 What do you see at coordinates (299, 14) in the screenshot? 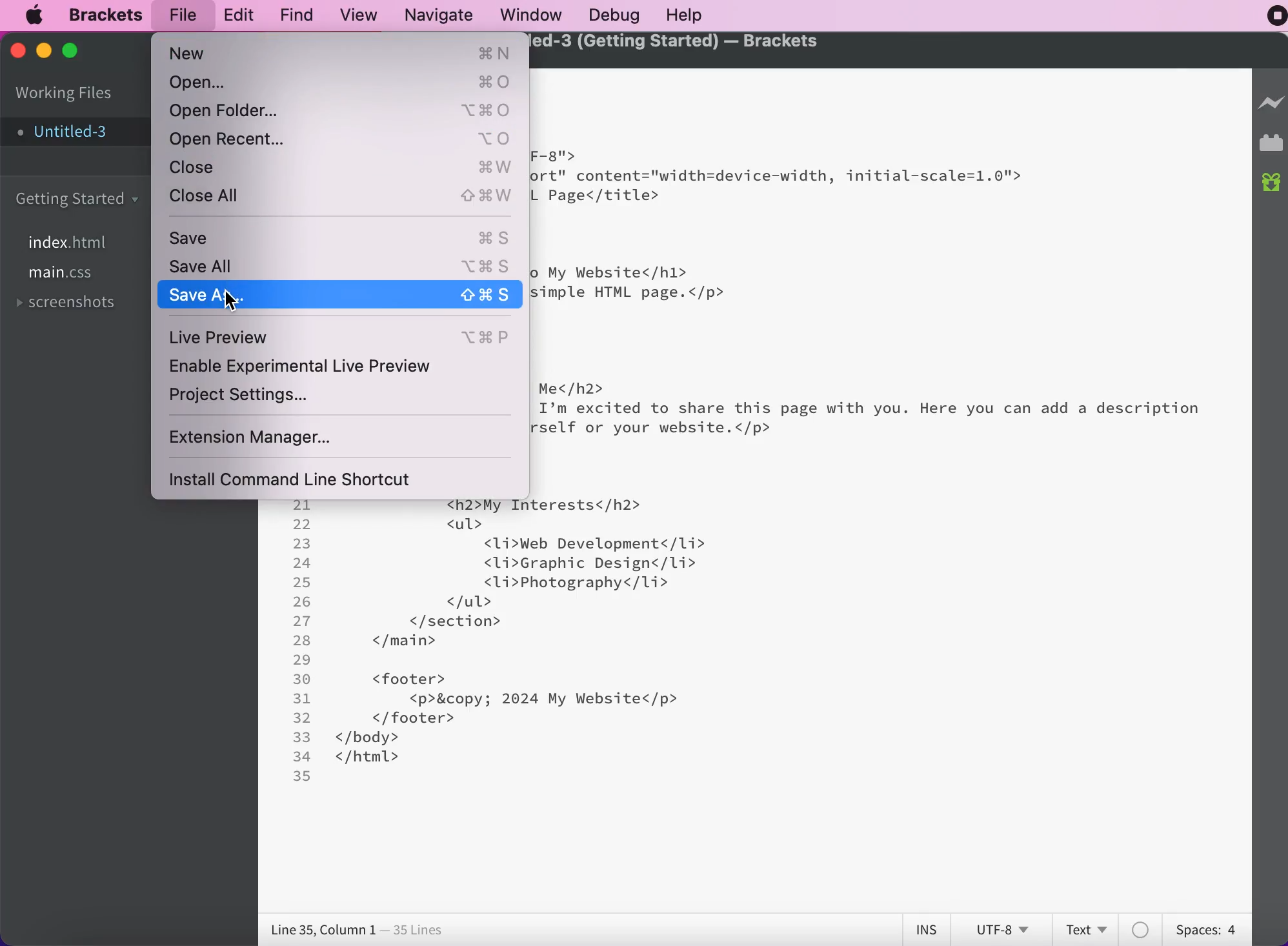
I see `find` at bounding box center [299, 14].